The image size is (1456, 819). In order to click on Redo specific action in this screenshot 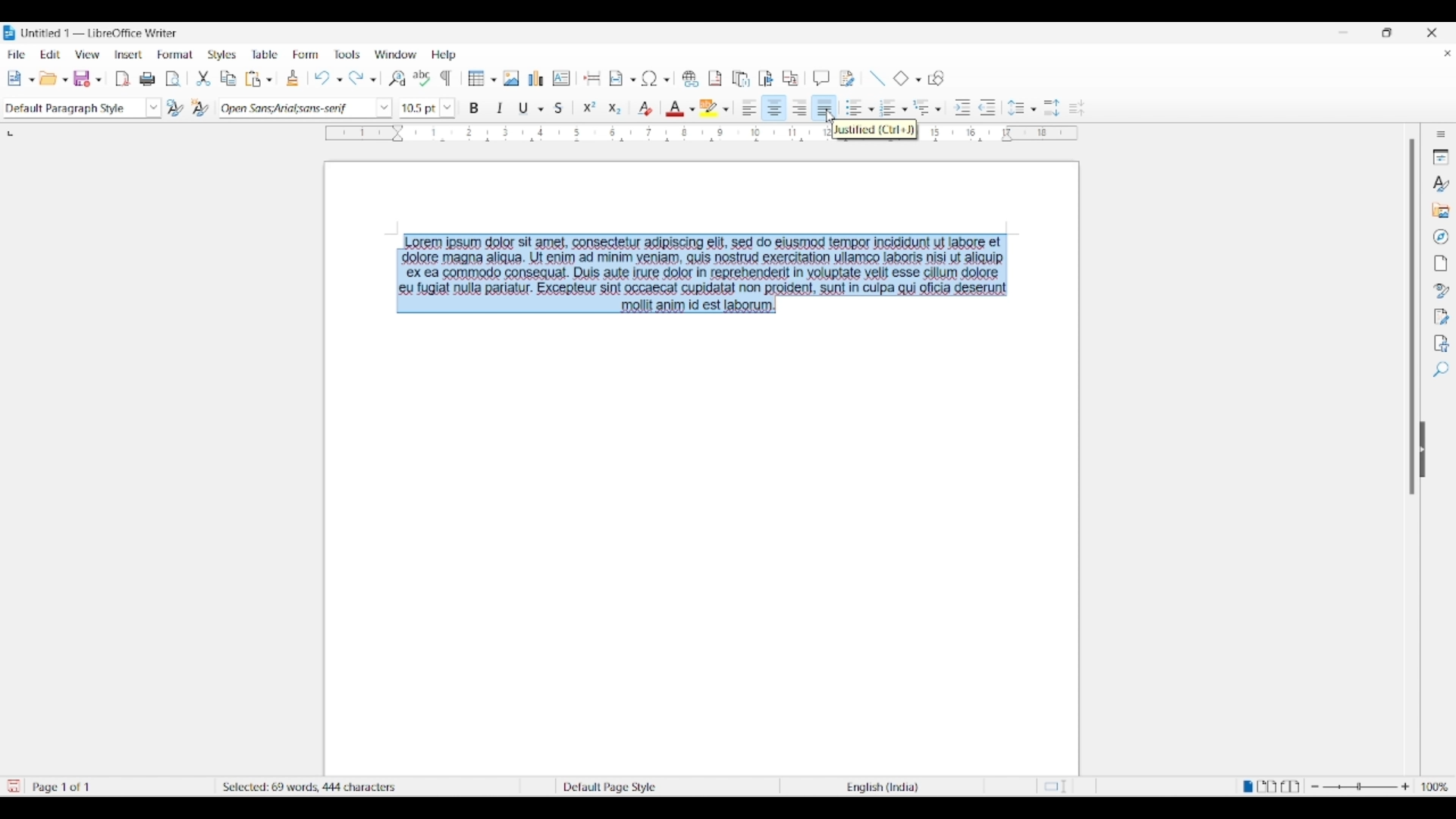, I will do `click(373, 80)`.